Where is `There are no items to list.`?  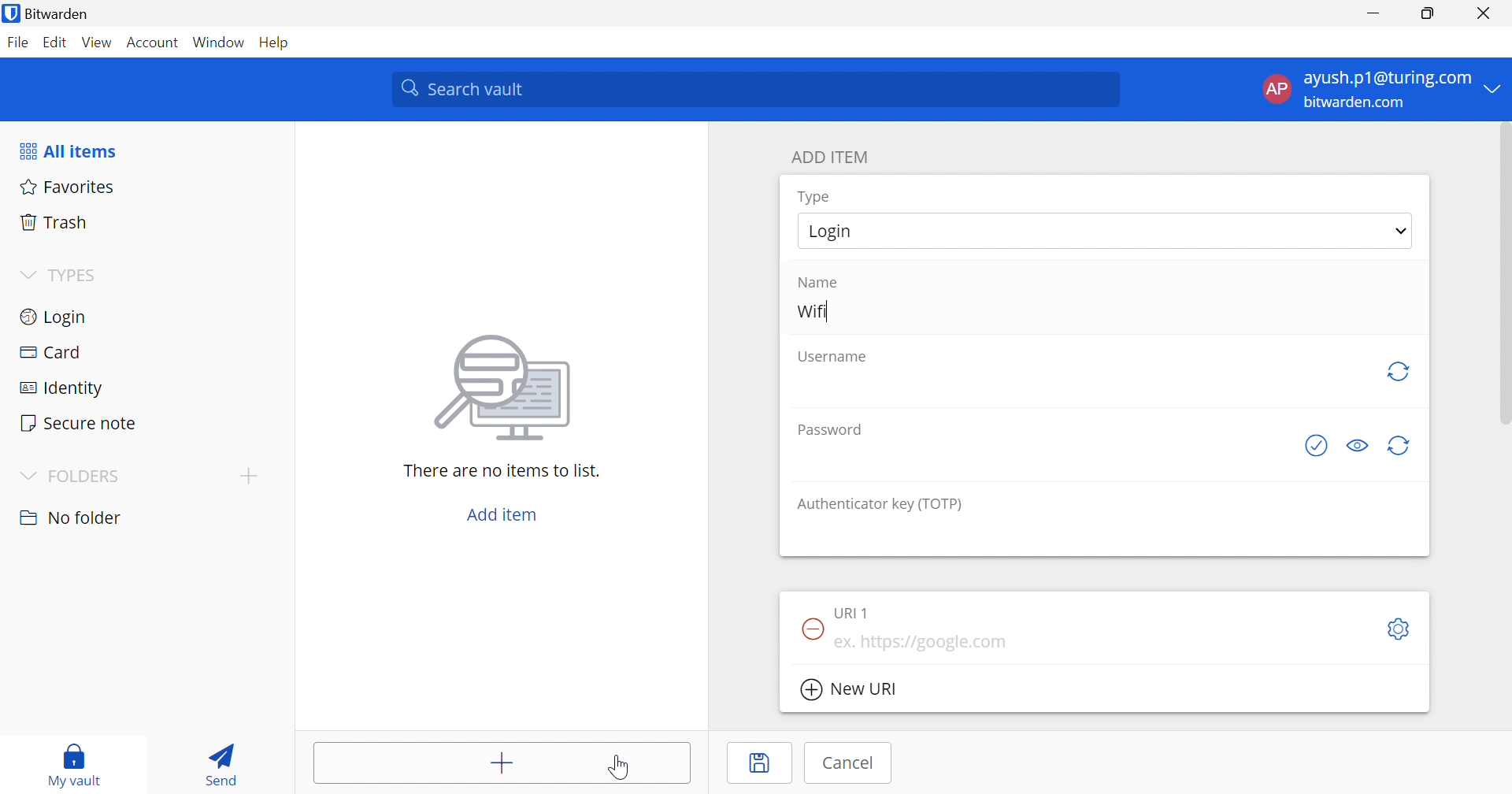
There are no items to list. is located at coordinates (503, 469).